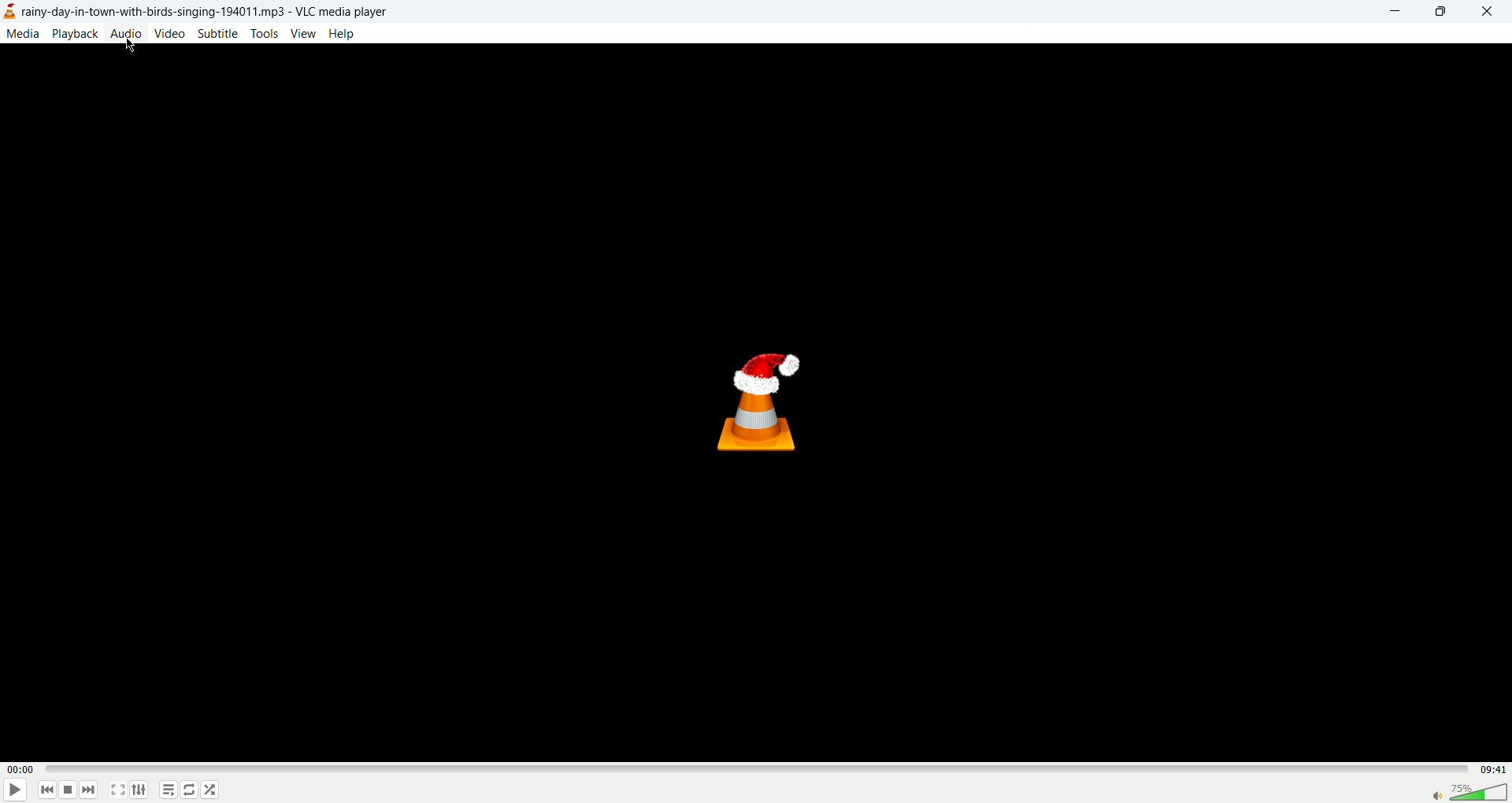 The width and height of the screenshot is (1512, 803). I want to click on playback, so click(76, 34).